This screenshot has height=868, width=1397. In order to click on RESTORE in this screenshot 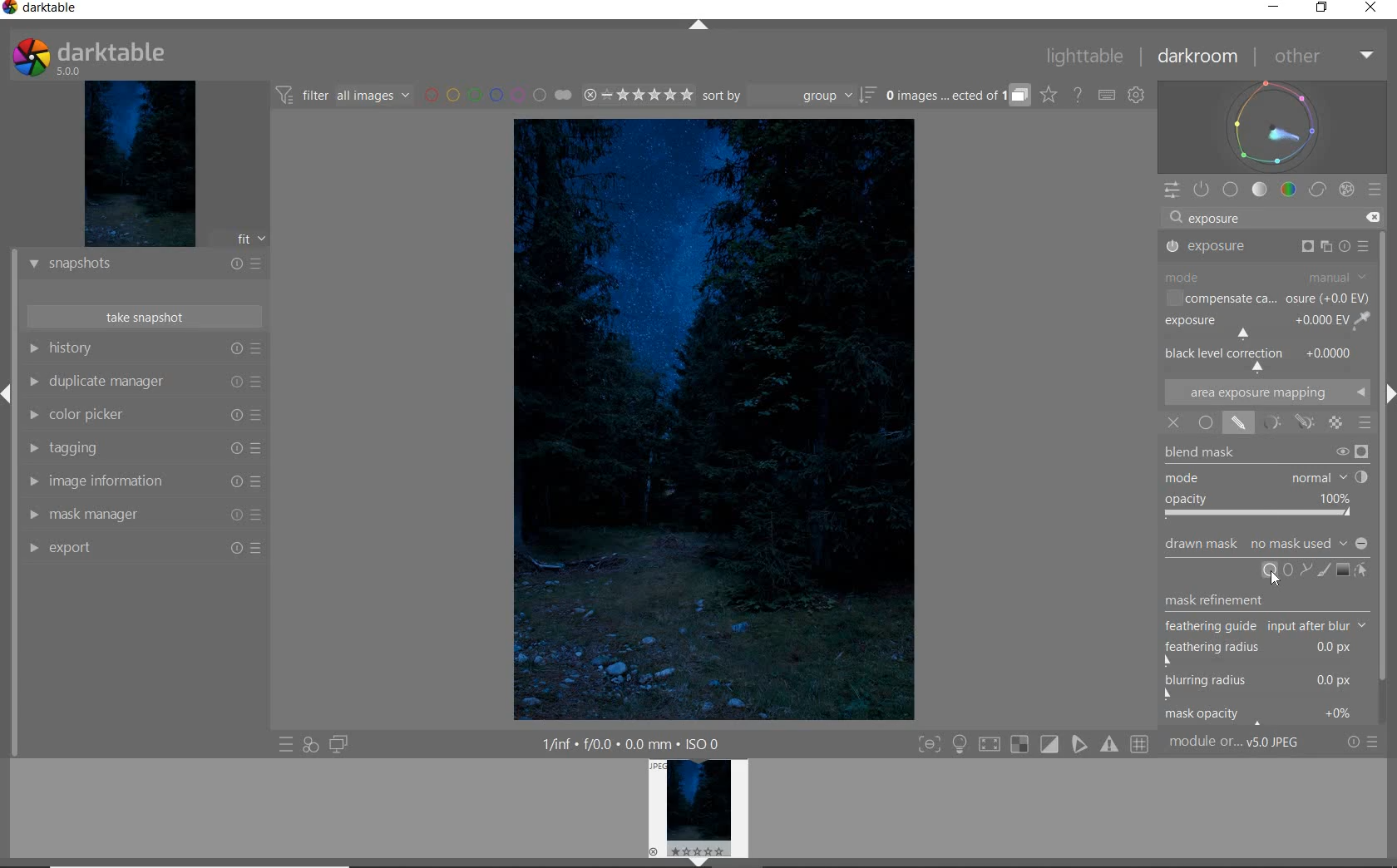, I will do `click(1322, 8)`.